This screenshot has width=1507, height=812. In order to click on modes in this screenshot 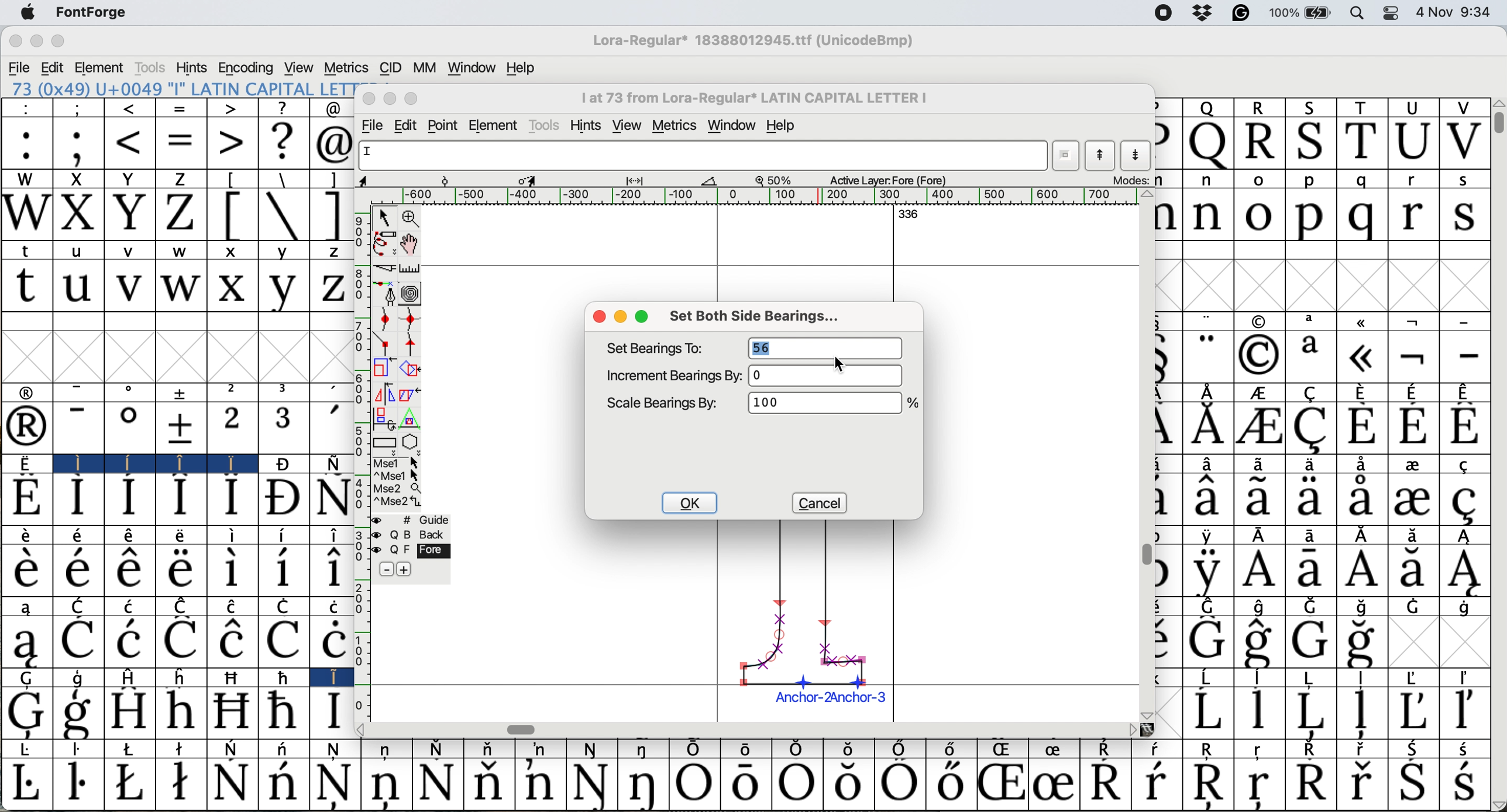, I will do `click(1132, 181)`.